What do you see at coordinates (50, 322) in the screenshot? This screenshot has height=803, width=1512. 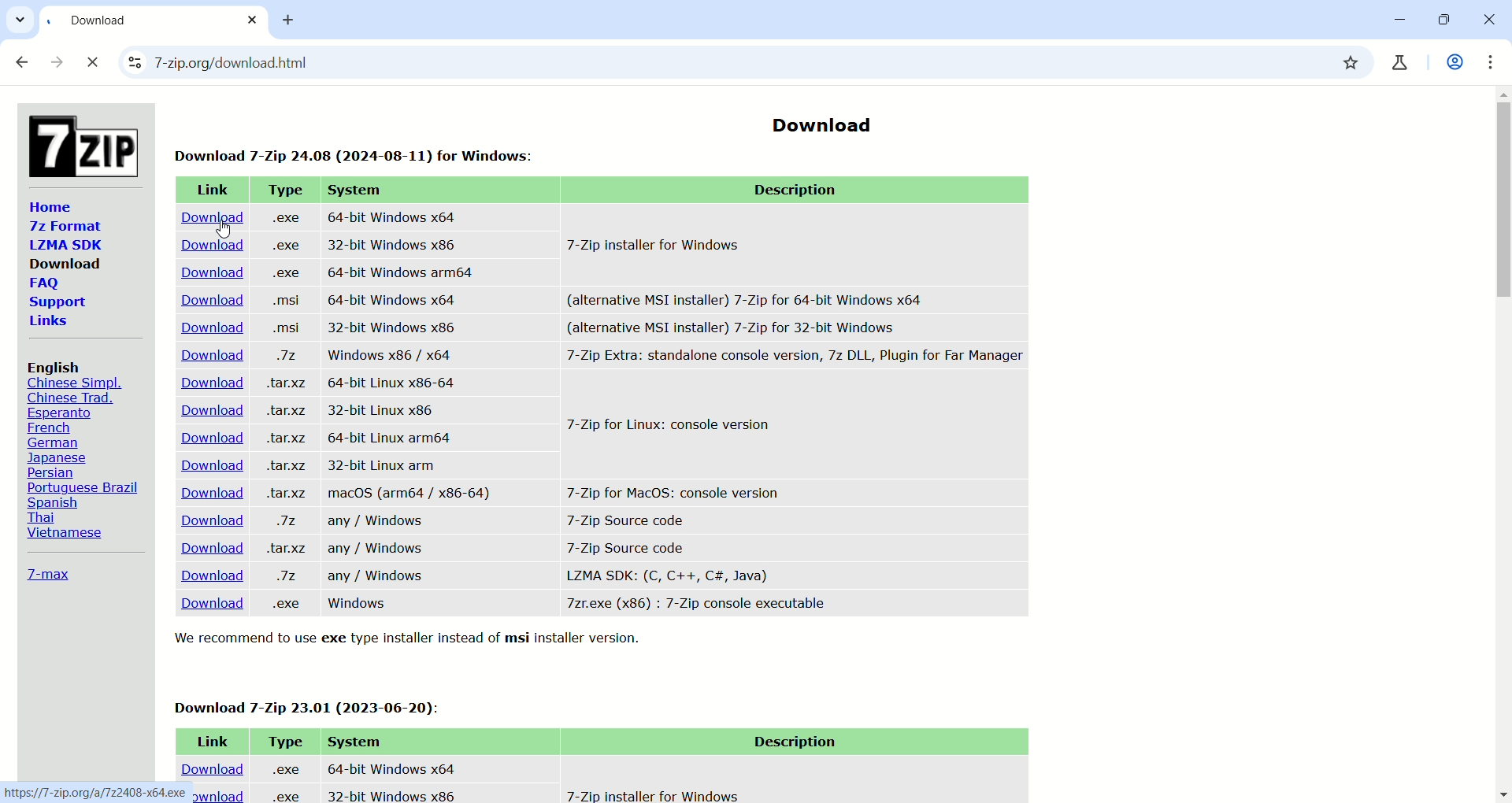 I see `Links` at bounding box center [50, 322].